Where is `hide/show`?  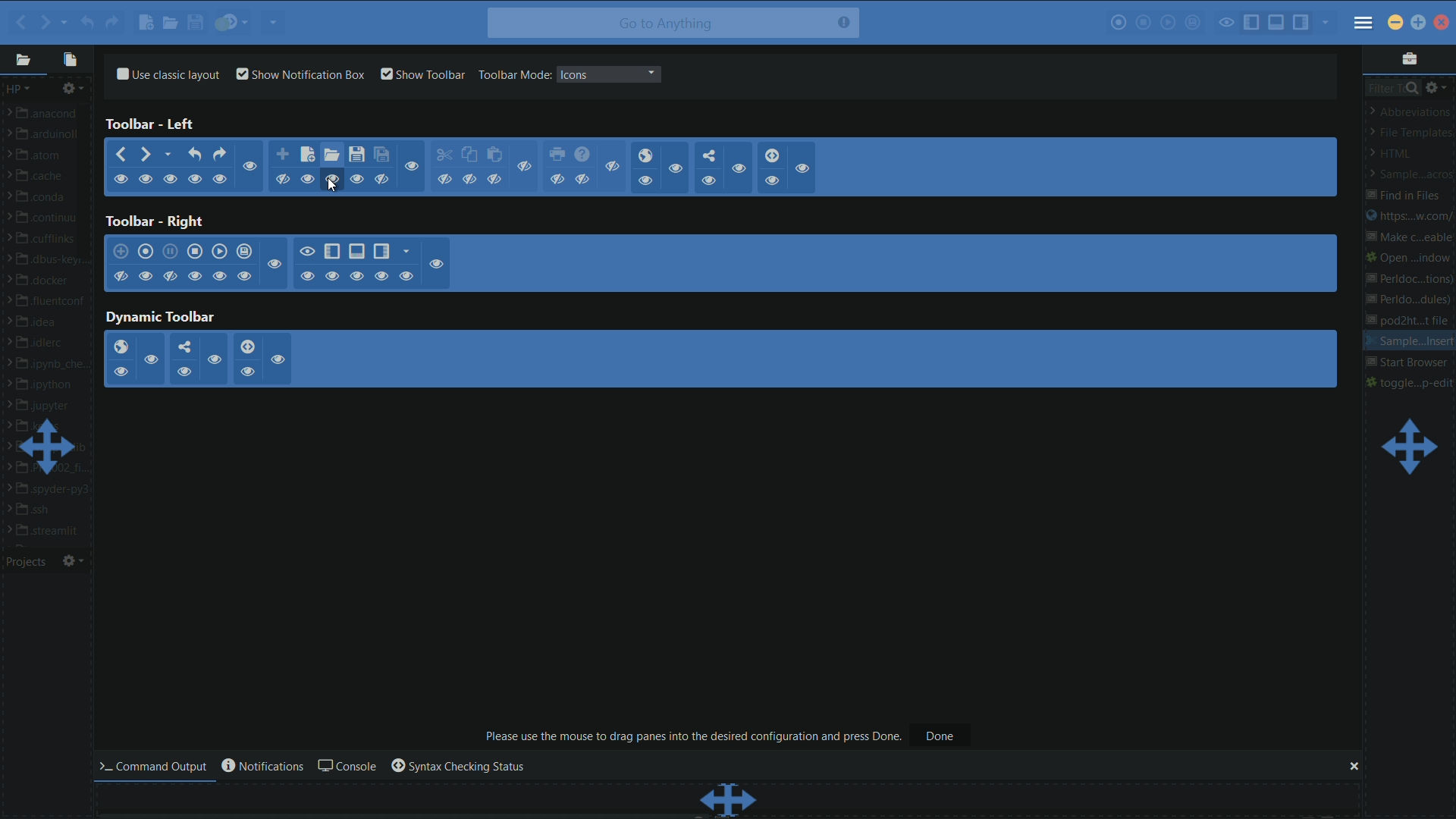 hide/show is located at coordinates (119, 372).